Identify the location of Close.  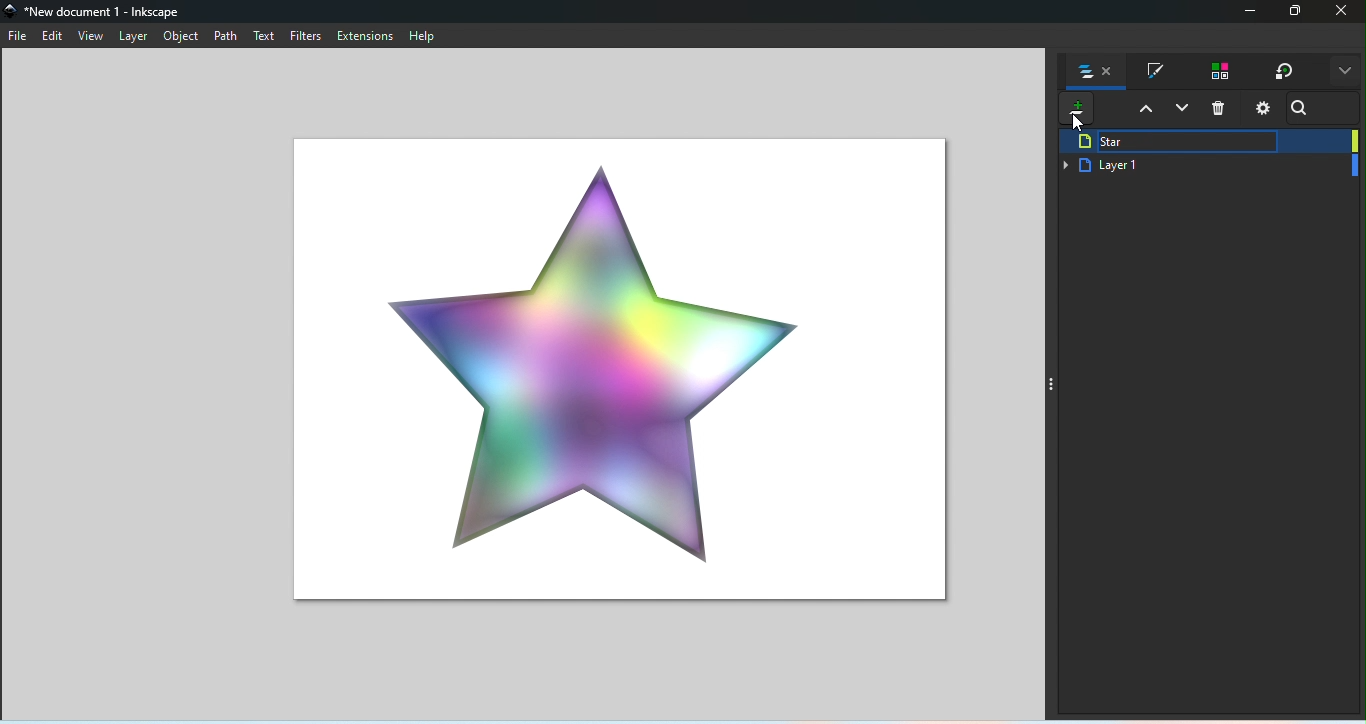
(1344, 13).